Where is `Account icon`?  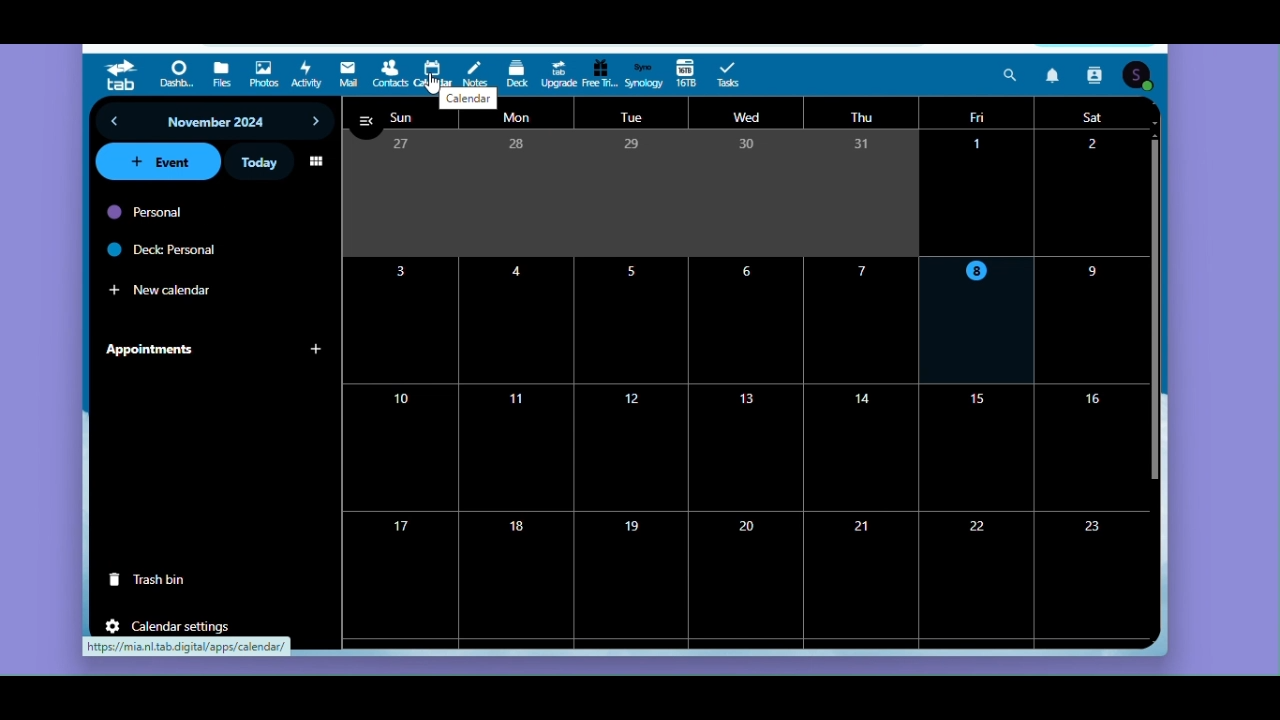
Account icon is located at coordinates (1138, 76).